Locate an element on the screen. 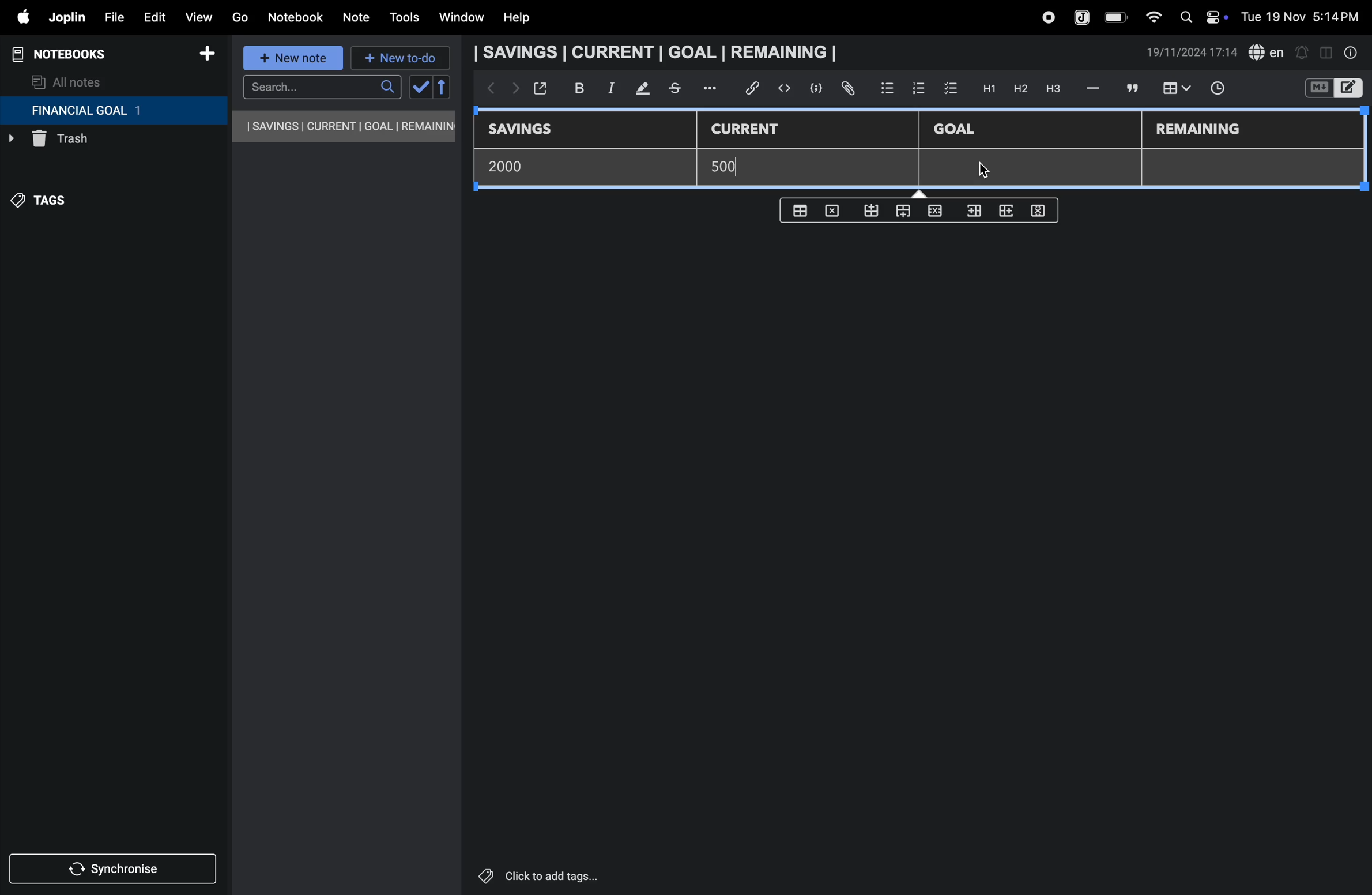 The height and width of the screenshot is (895, 1372). mark is located at coordinates (638, 89).